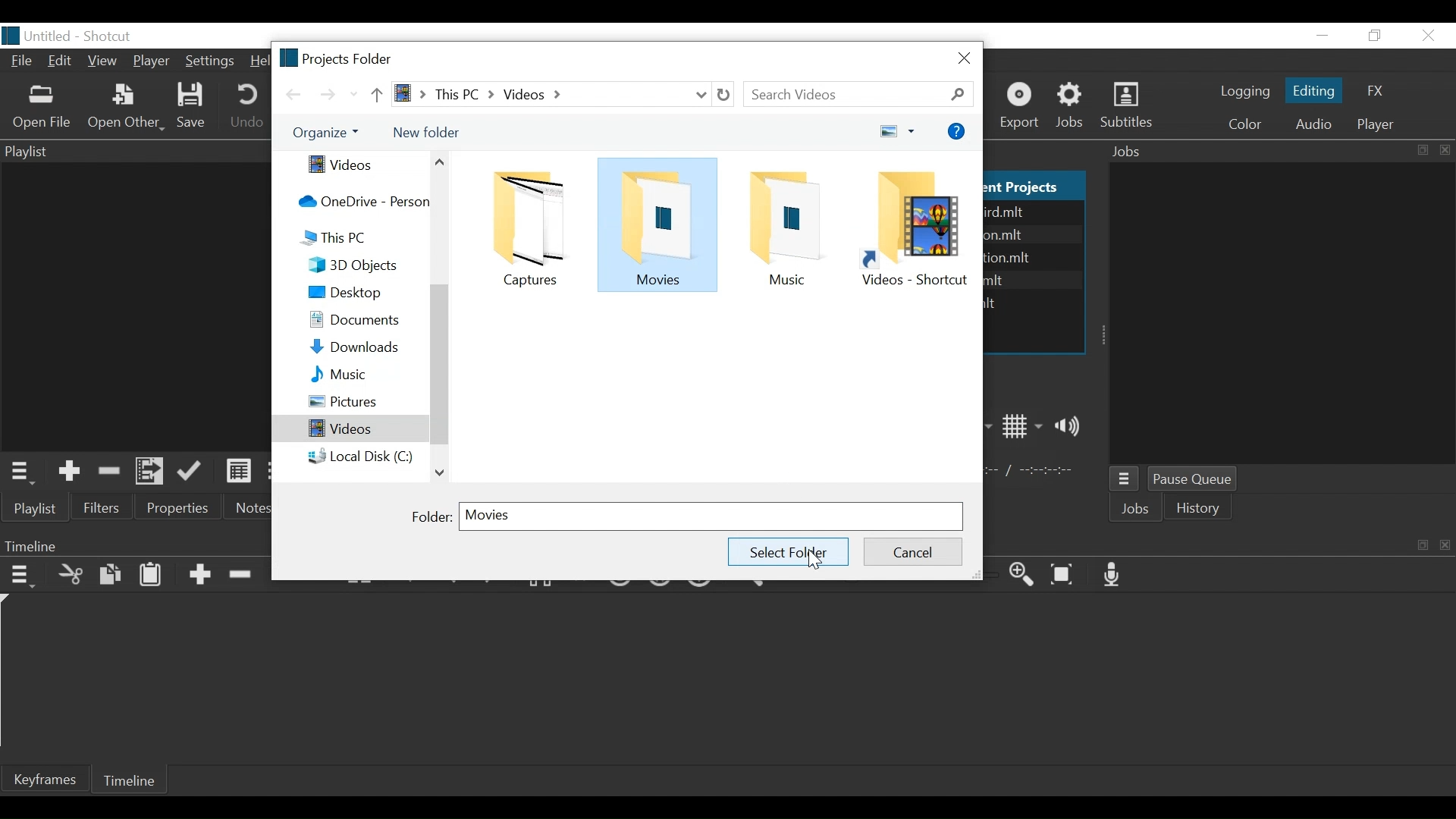 Image resolution: width=1456 pixels, height=819 pixels. I want to click on Scroll down, so click(440, 472).